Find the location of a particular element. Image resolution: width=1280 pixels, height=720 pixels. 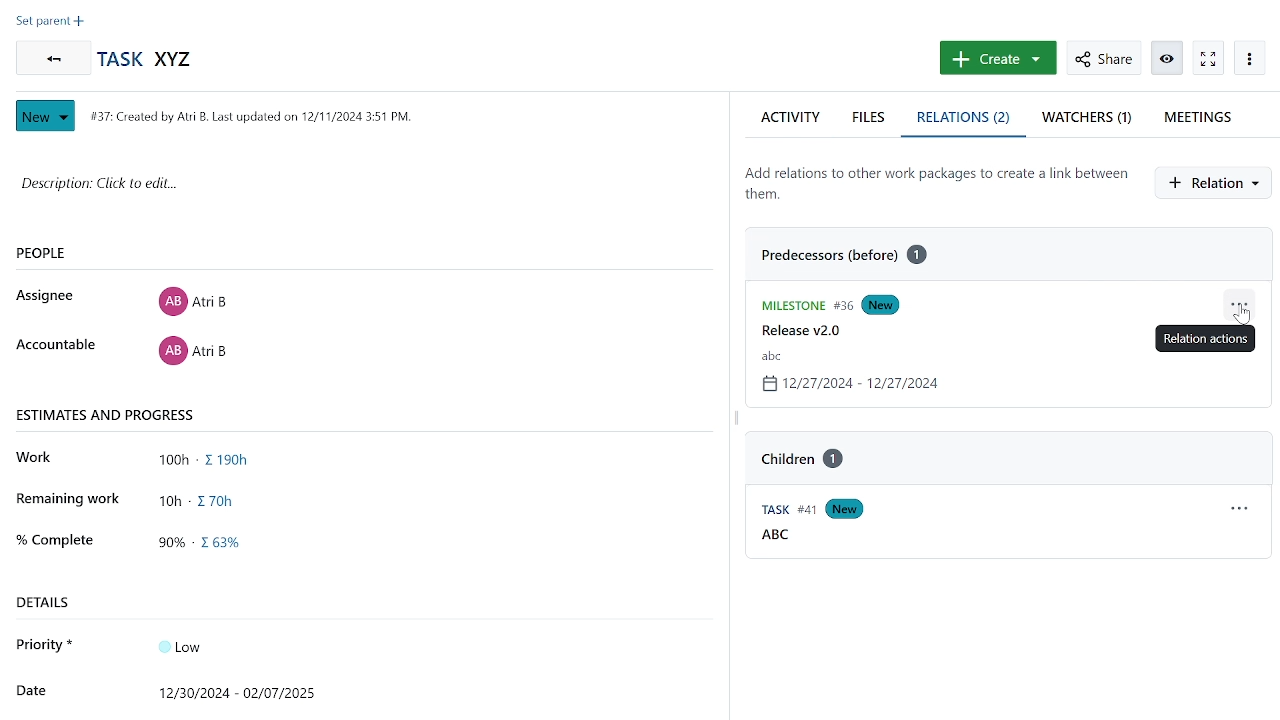

create is located at coordinates (996, 58).